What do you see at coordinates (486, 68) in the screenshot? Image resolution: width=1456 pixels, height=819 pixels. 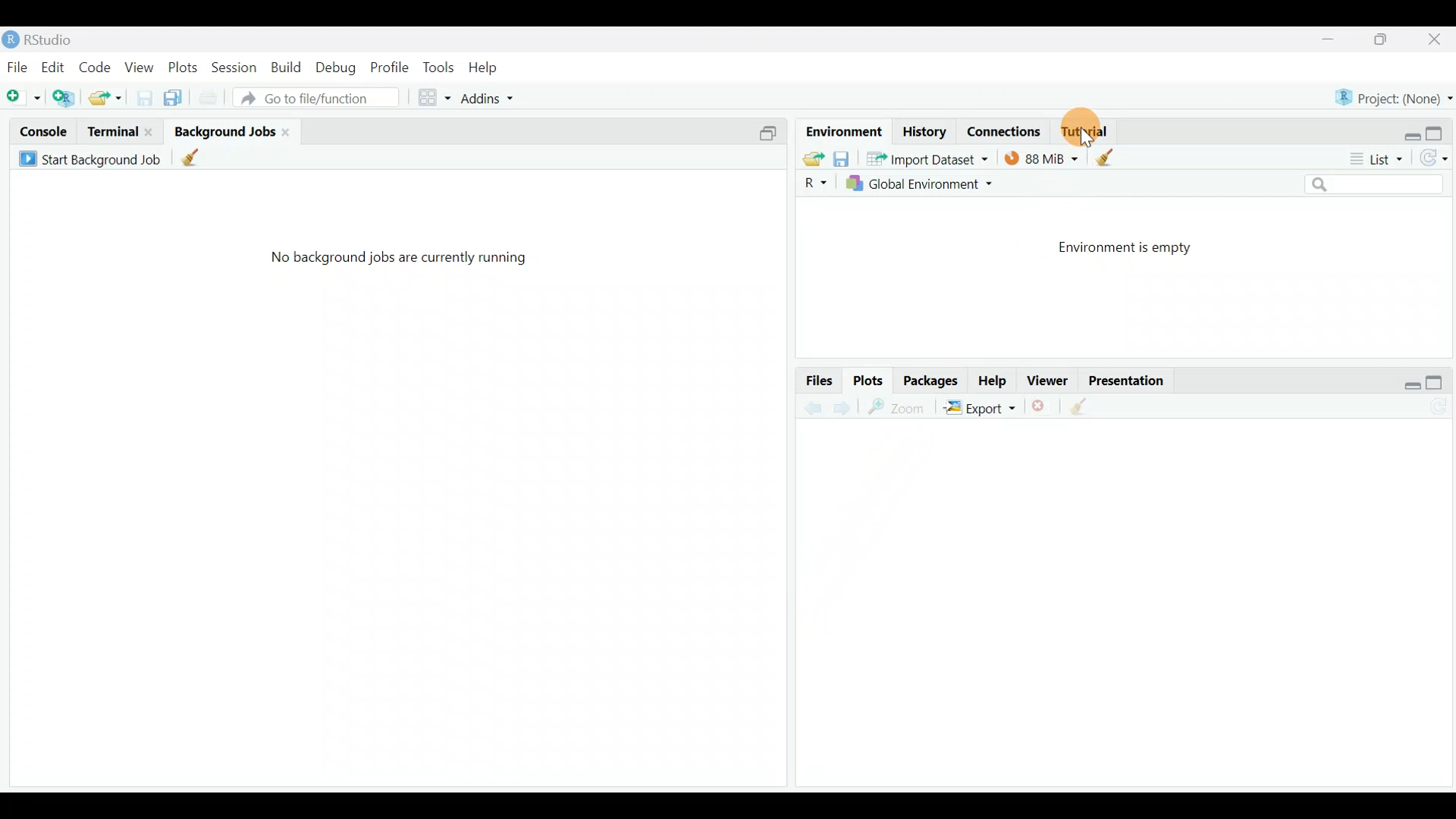 I see `Help` at bounding box center [486, 68].